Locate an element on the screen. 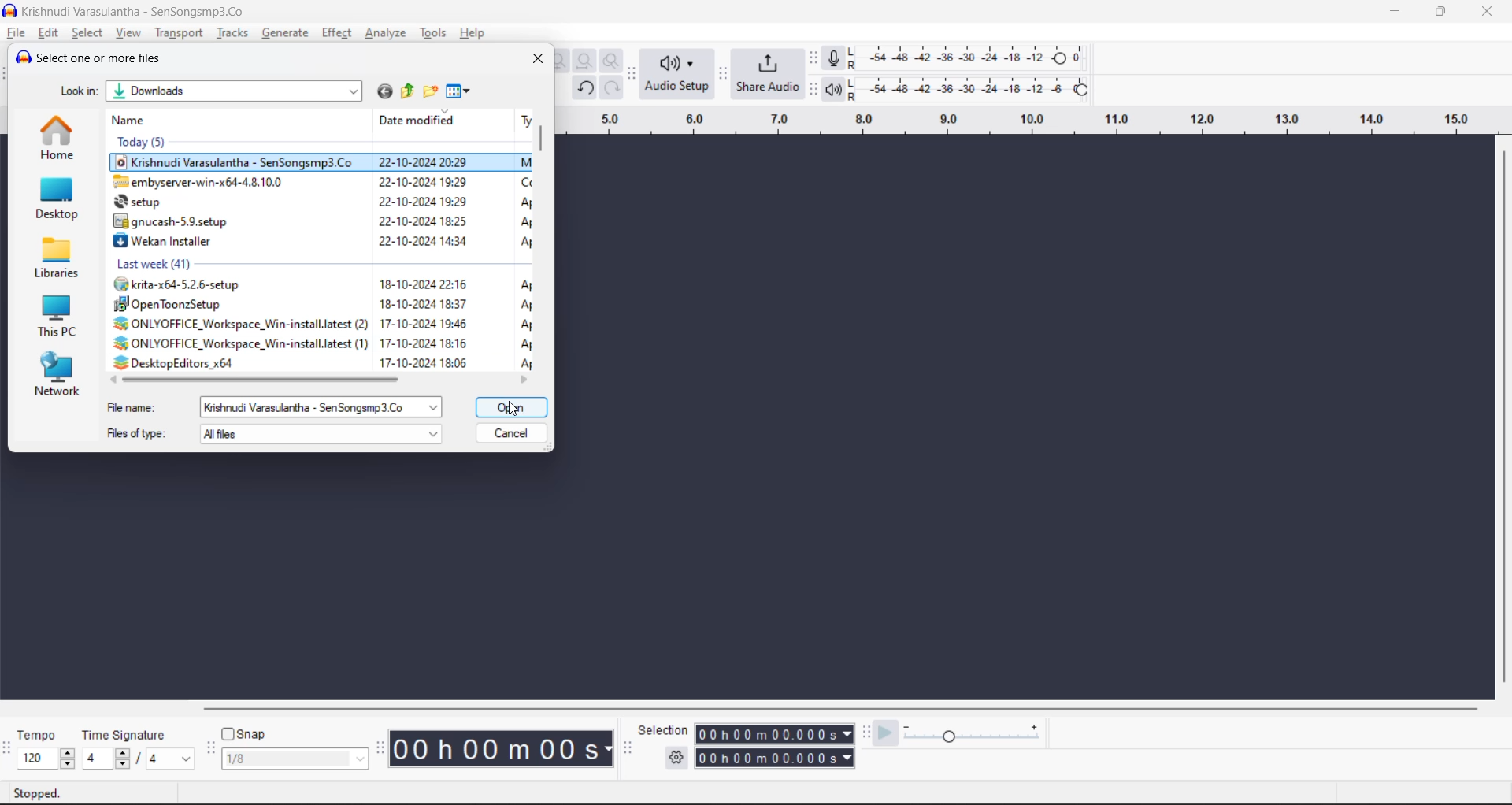  cancel is located at coordinates (513, 432).